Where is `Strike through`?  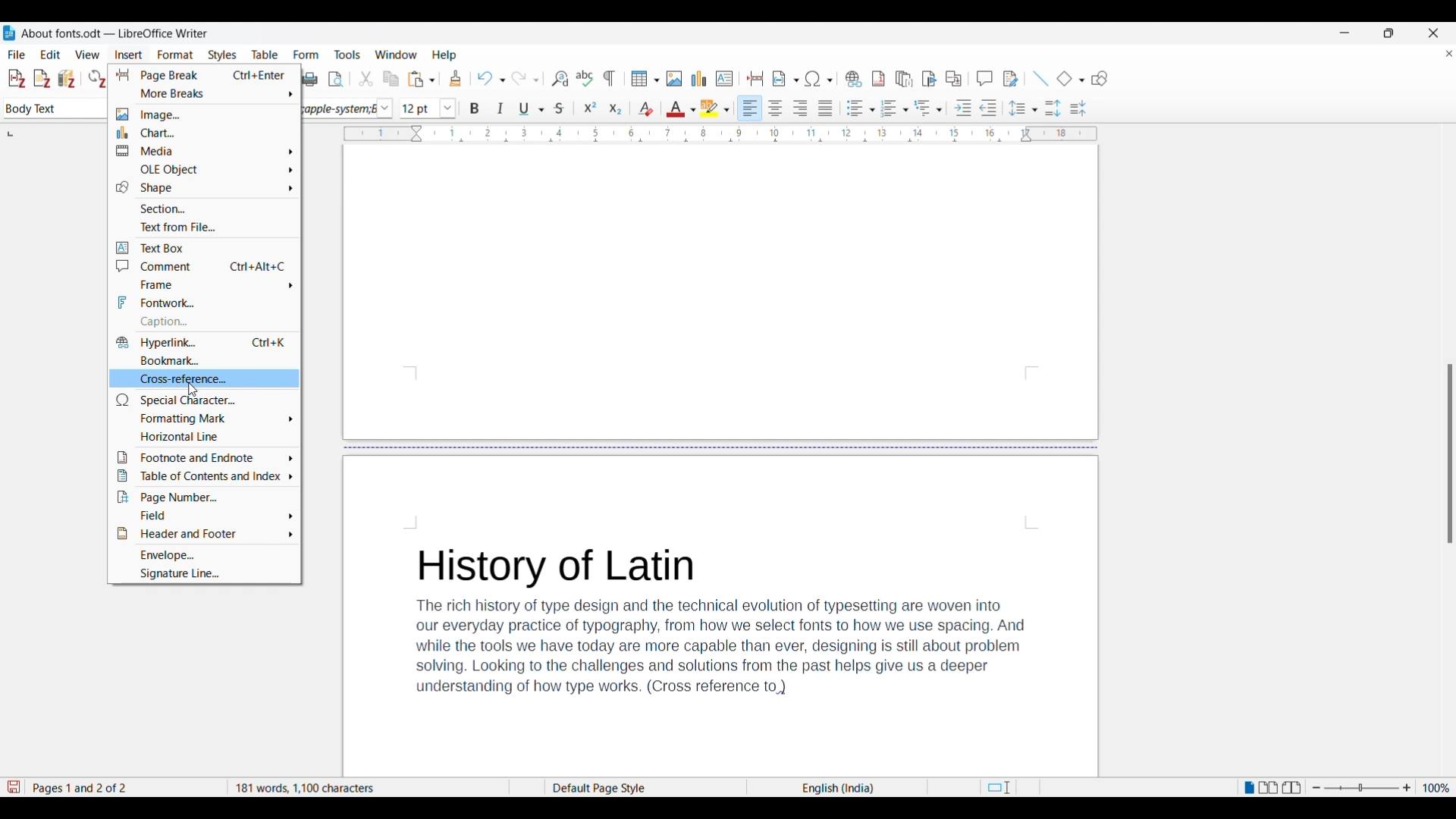
Strike through is located at coordinates (560, 108).